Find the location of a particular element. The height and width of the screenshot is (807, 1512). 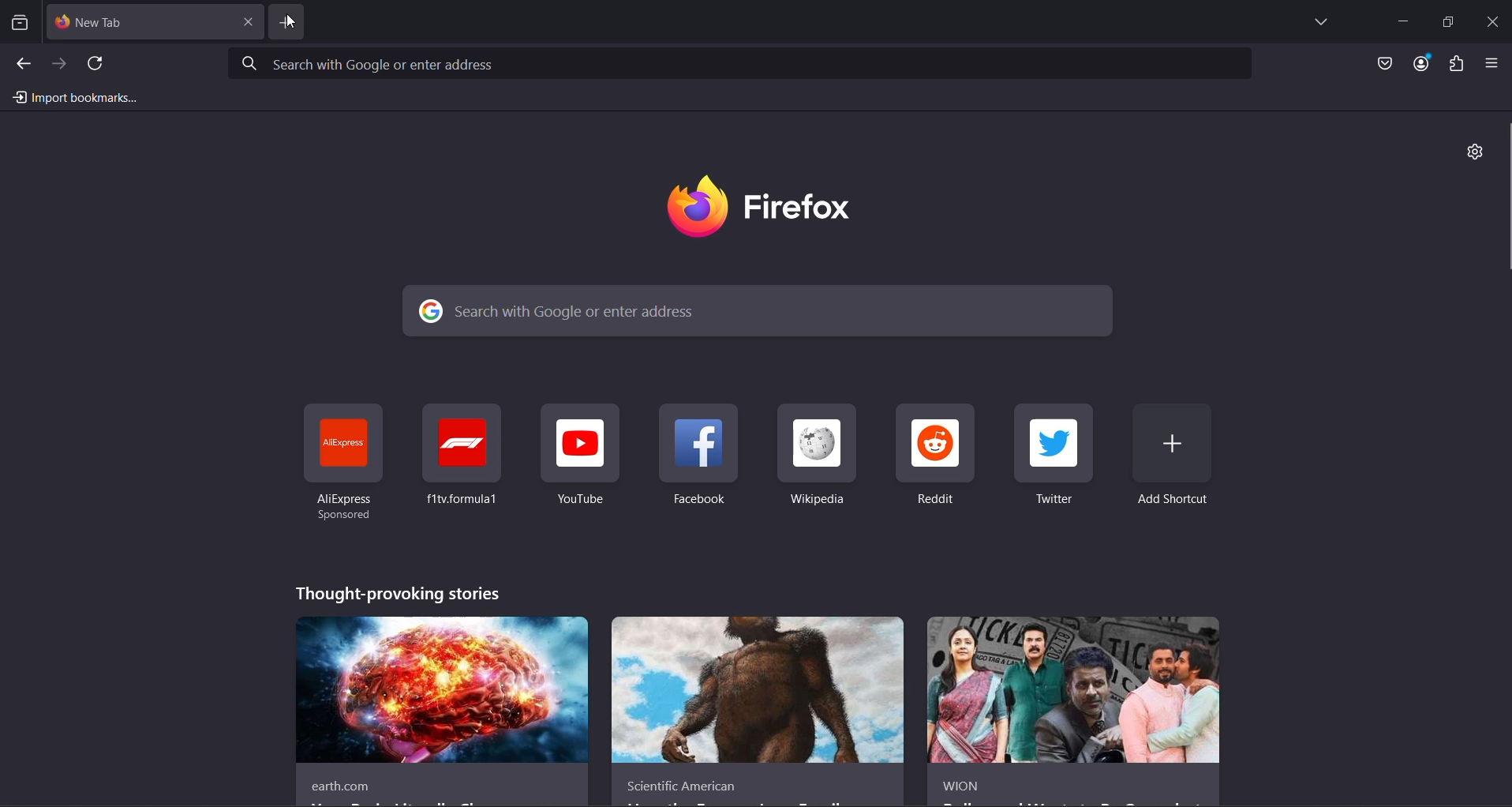

search   bar is located at coordinates (743, 65).